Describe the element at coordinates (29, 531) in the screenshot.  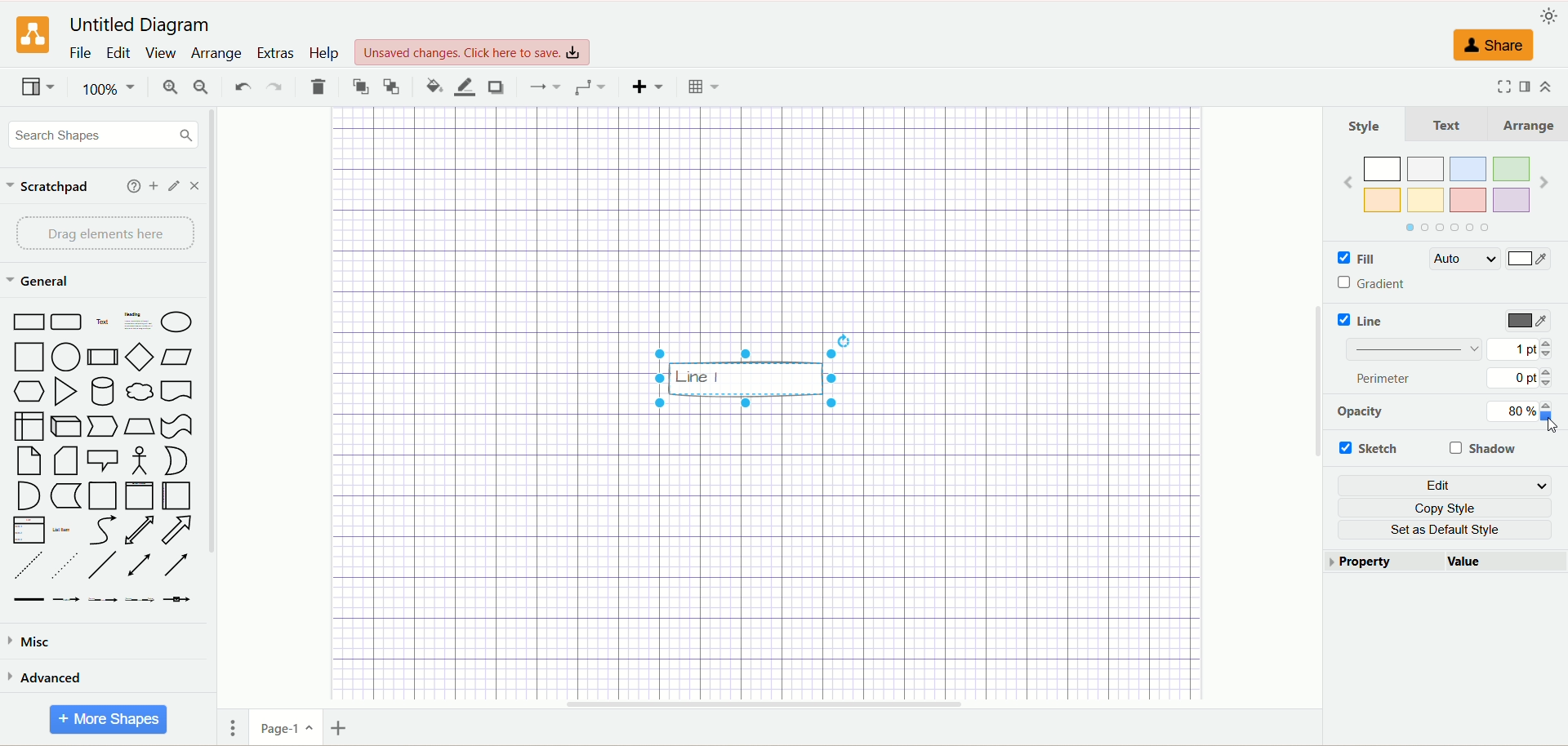
I see `List` at that location.